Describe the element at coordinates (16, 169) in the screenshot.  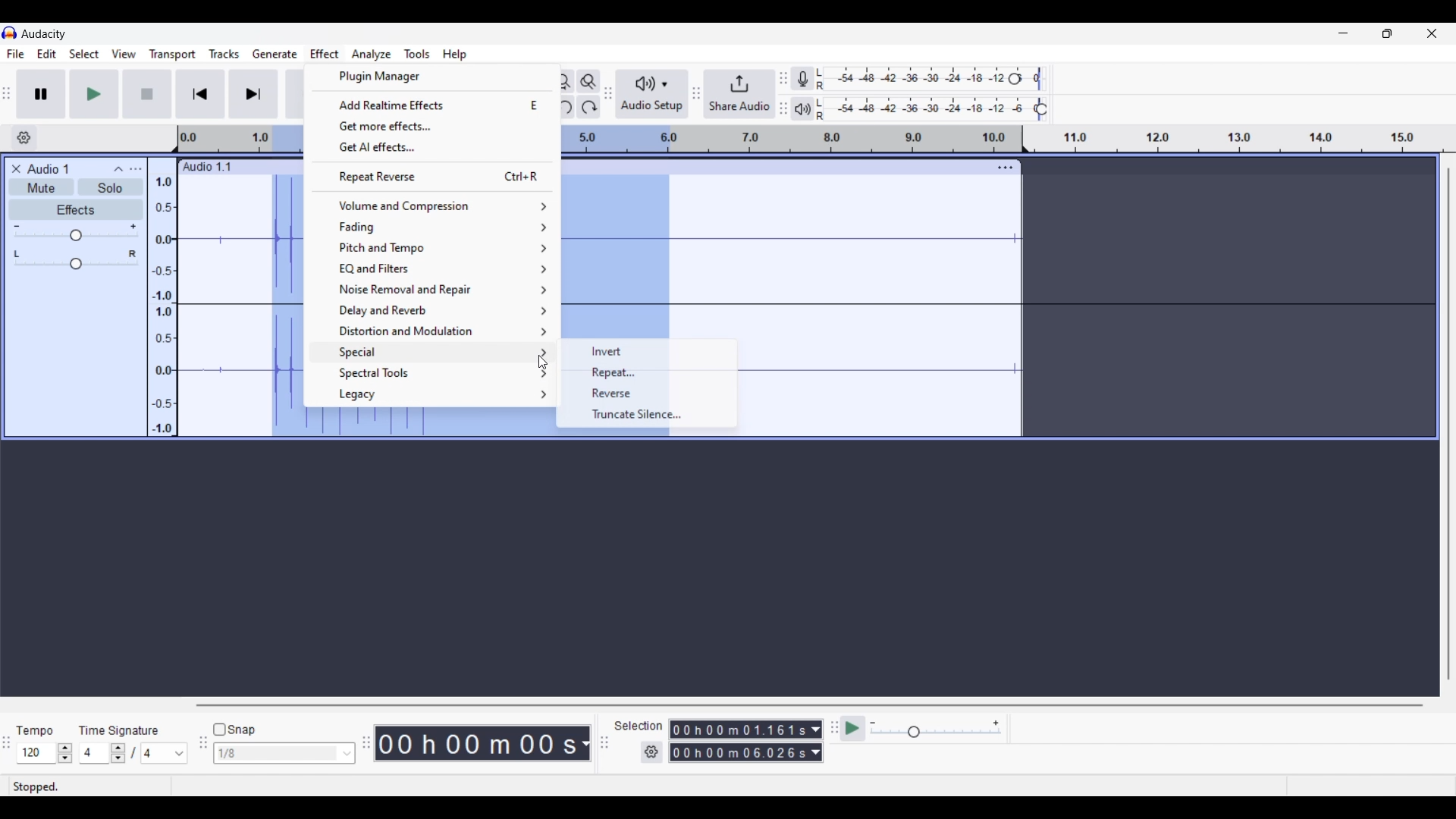
I see `Close` at that location.